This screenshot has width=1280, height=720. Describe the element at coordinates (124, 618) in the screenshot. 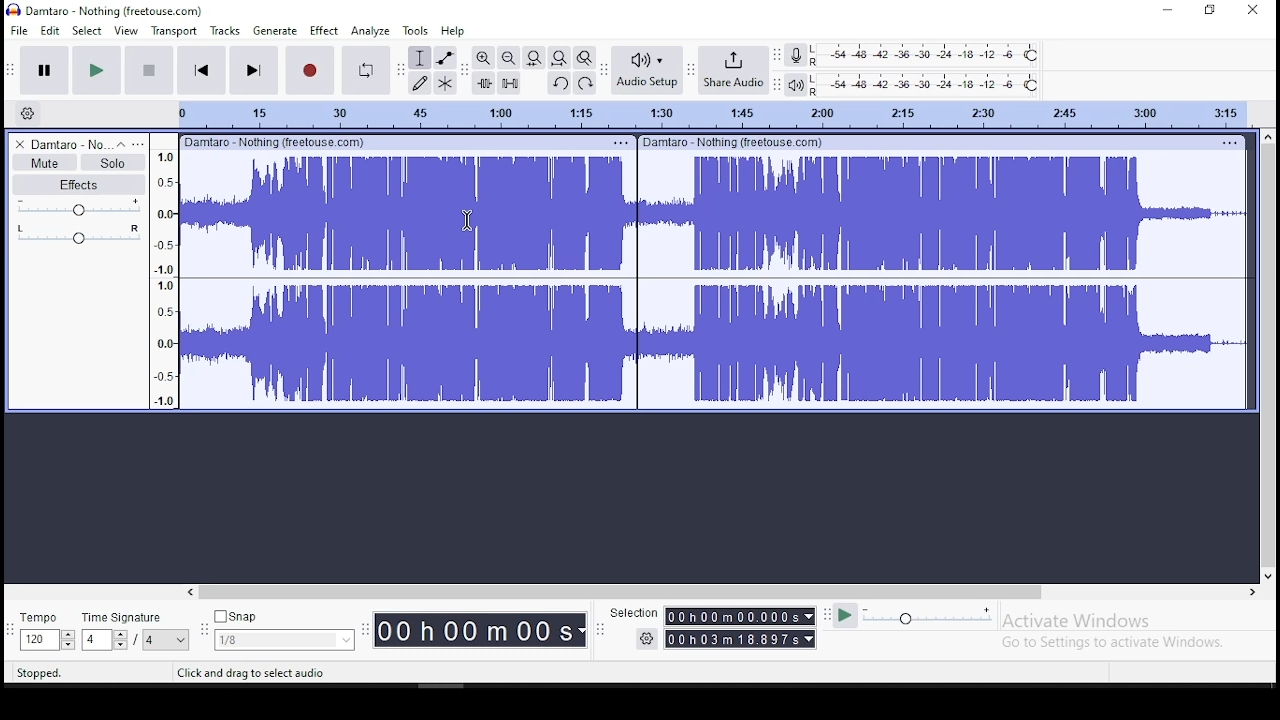

I see `time signature` at that location.